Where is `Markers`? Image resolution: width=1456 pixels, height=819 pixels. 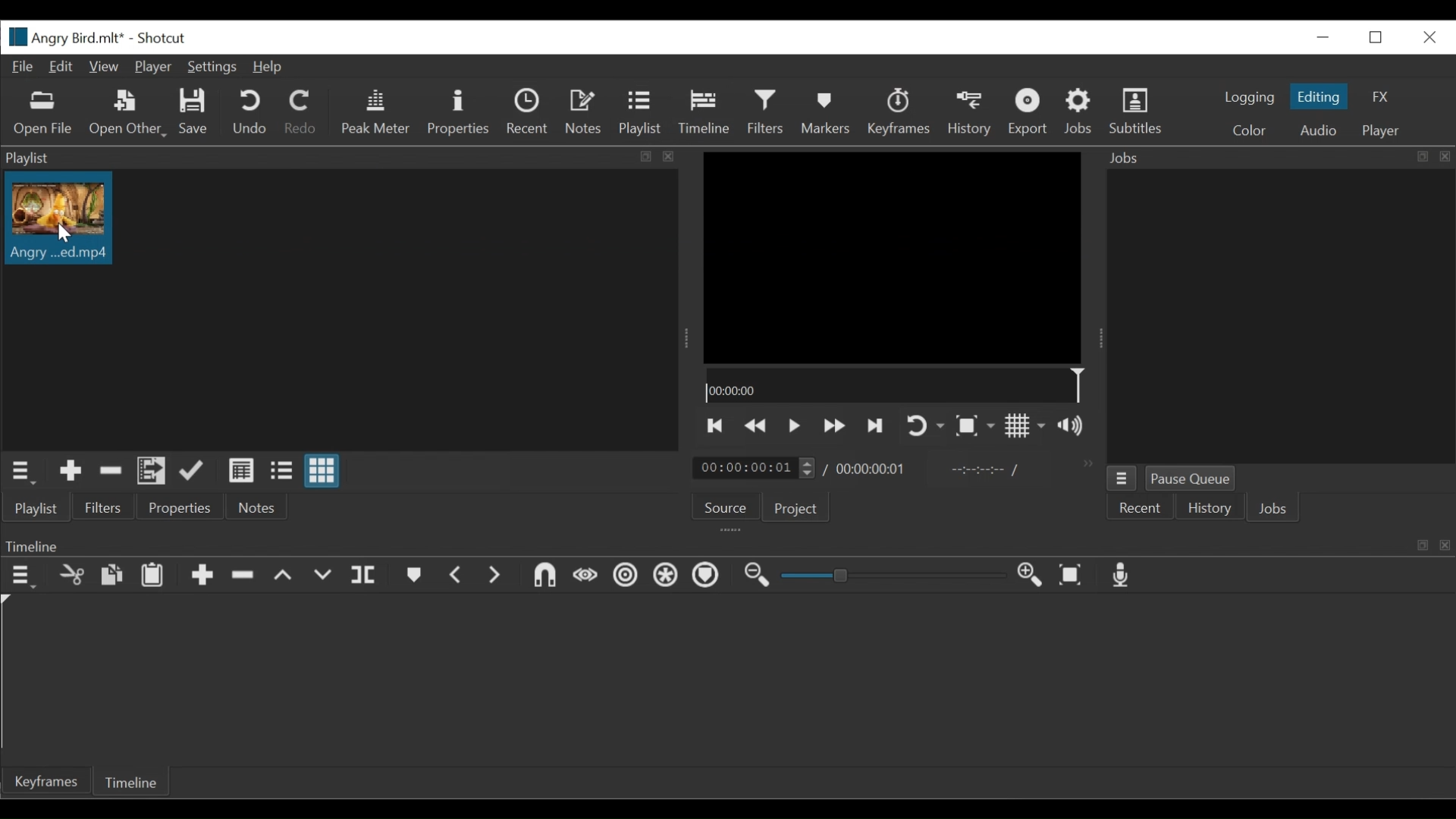 Markers is located at coordinates (825, 113).